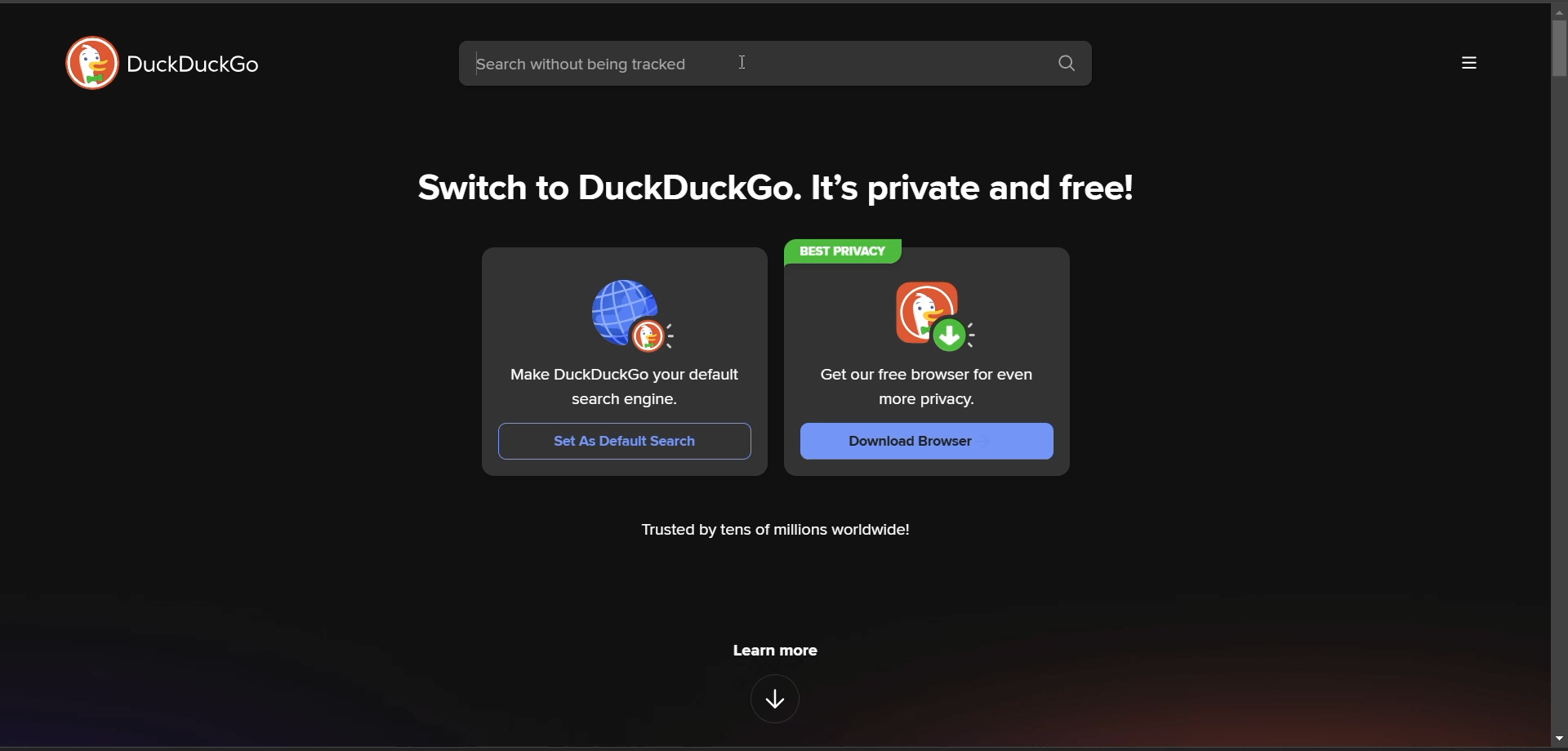 This screenshot has width=1568, height=751. I want to click on image, so click(934, 318).